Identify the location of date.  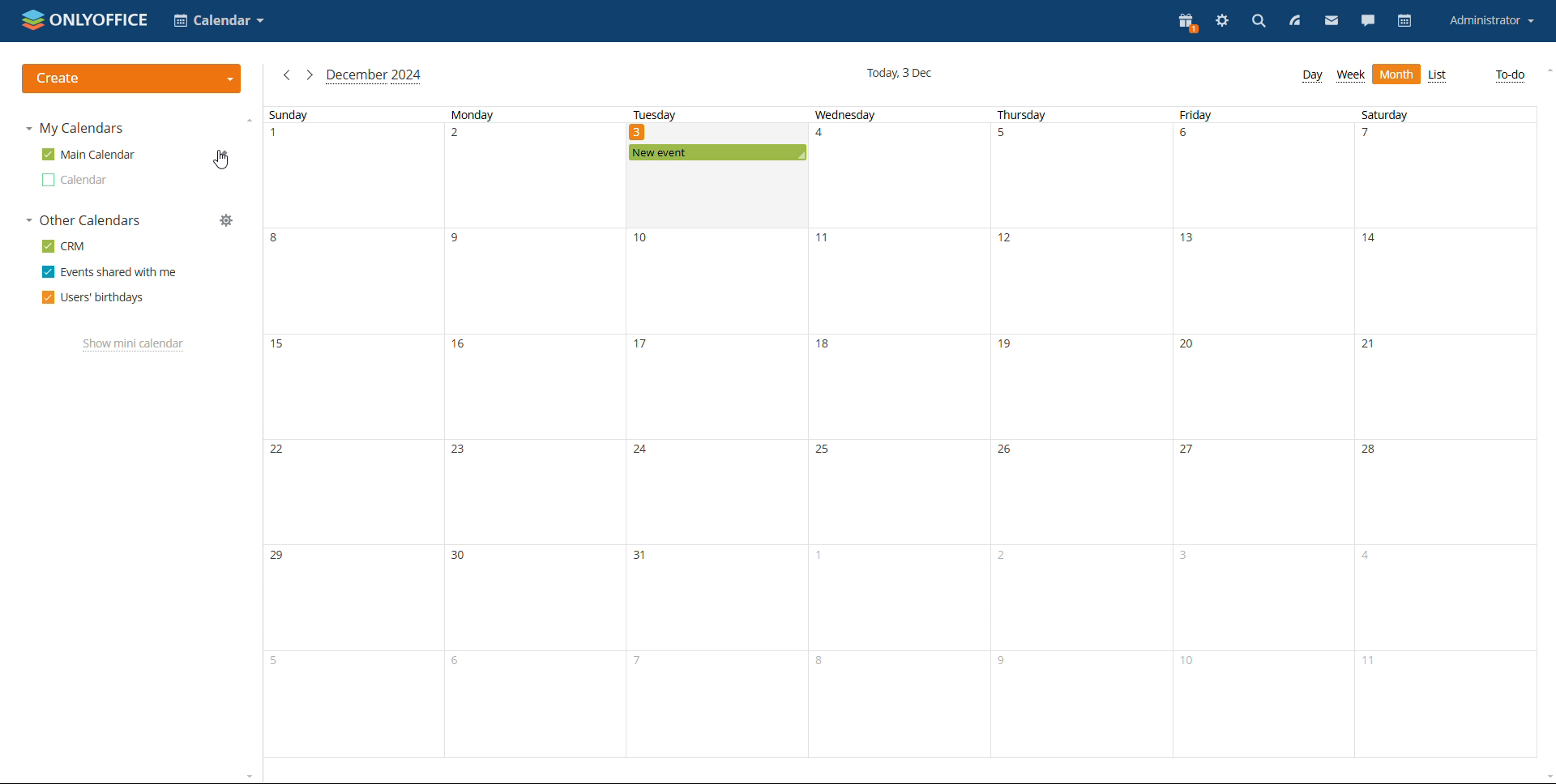
(532, 703).